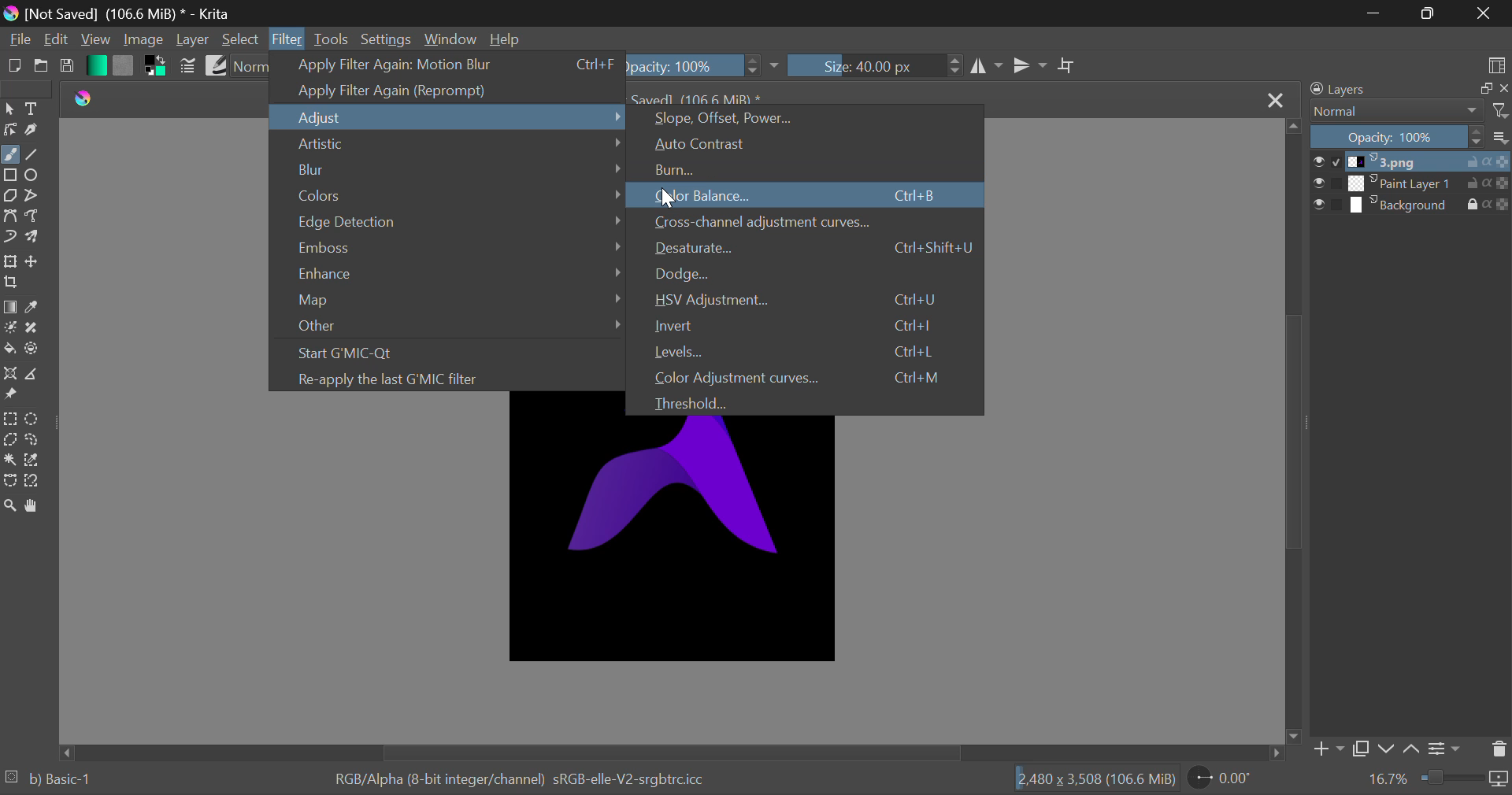 The height and width of the screenshot is (795, 1512). What do you see at coordinates (680, 753) in the screenshot?
I see `Scroll Bar` at bounding box center [680, 753].